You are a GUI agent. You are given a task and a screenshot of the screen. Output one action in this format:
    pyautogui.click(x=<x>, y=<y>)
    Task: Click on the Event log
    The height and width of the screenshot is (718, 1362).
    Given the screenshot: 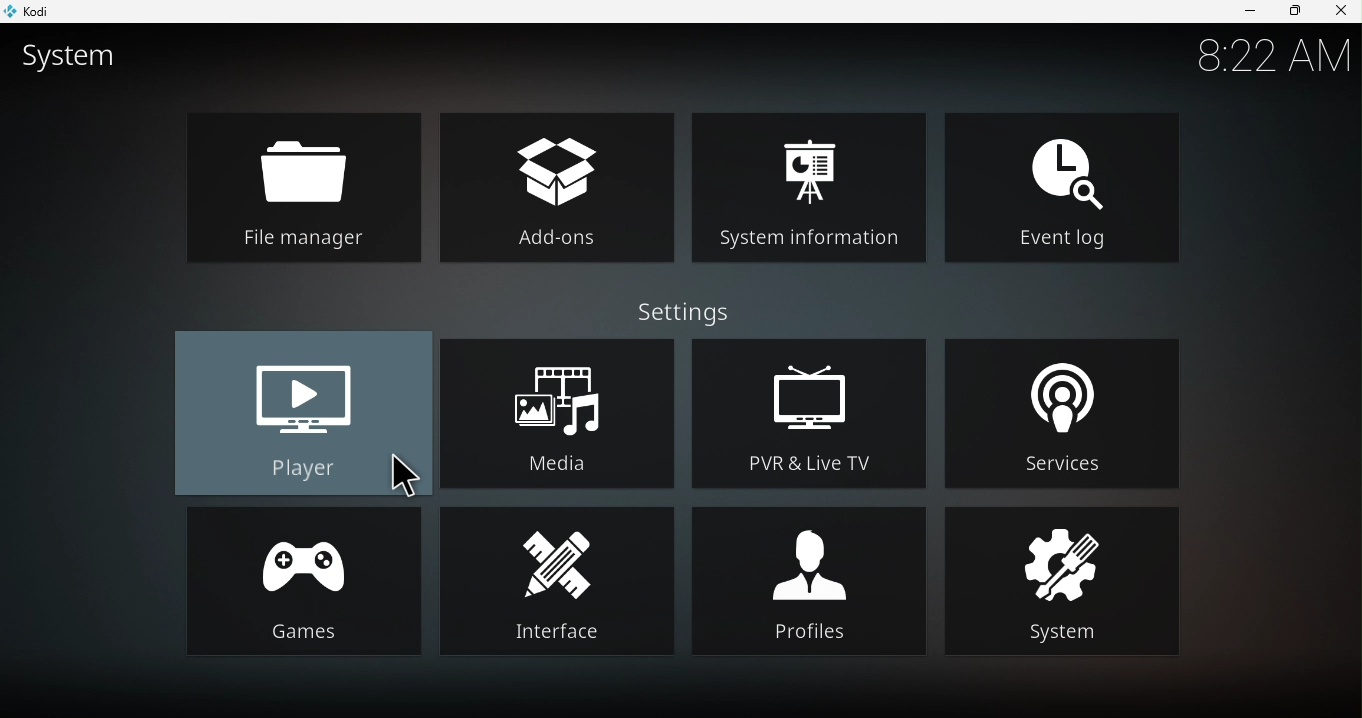 What is the action you would take?
    pyautogui.click(x=1062, y=184)
    